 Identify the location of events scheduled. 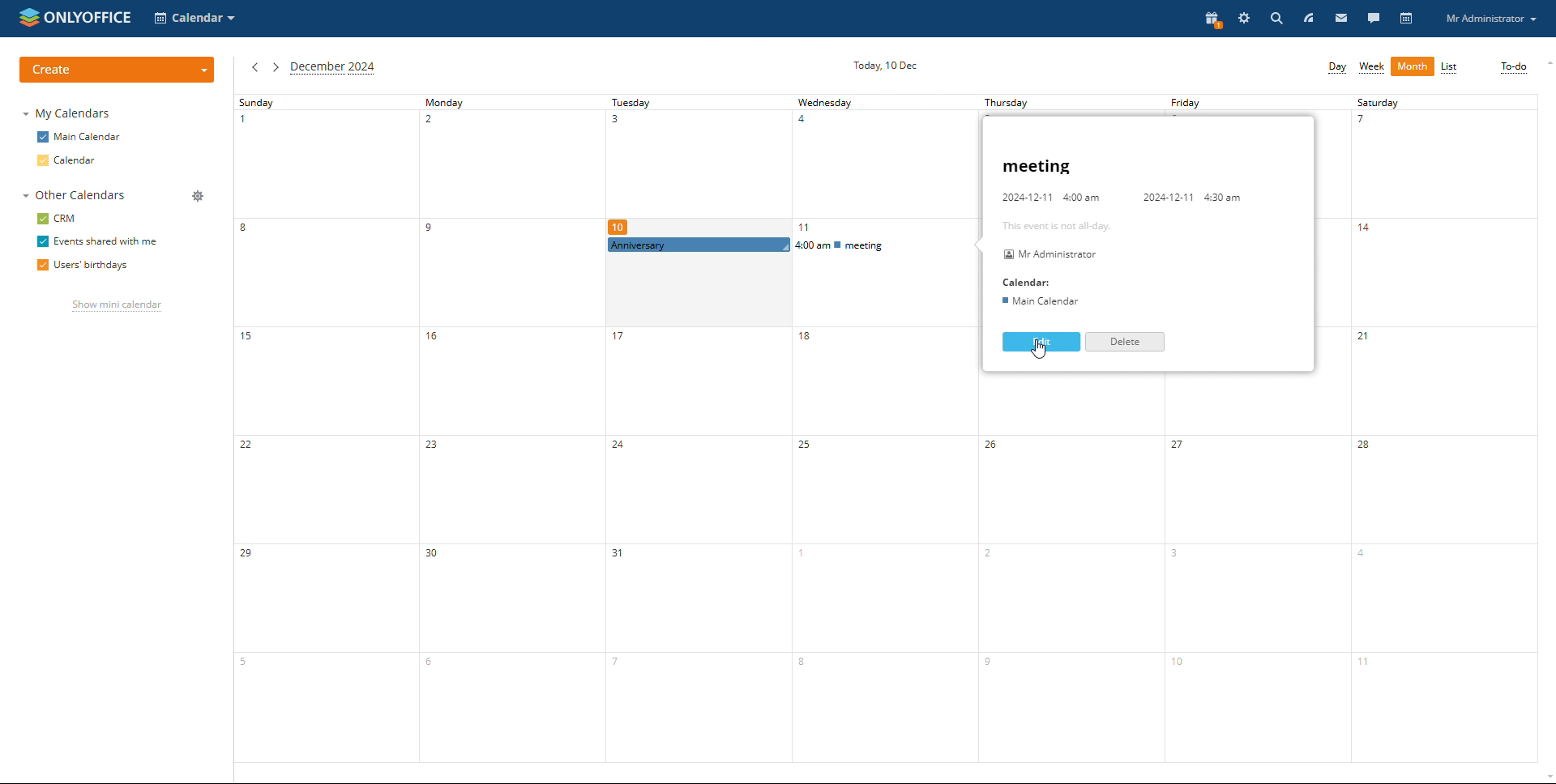
(792, 245).